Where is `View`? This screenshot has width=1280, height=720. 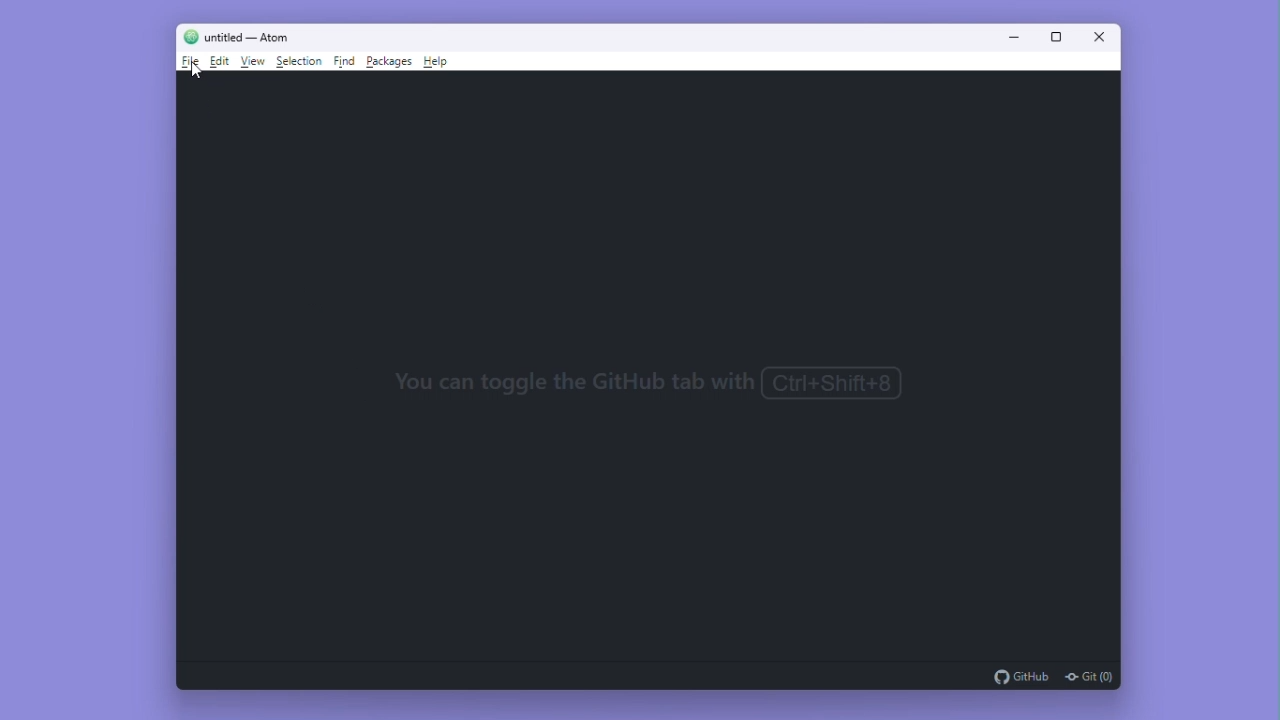 View is located at coordinates (255, 63).